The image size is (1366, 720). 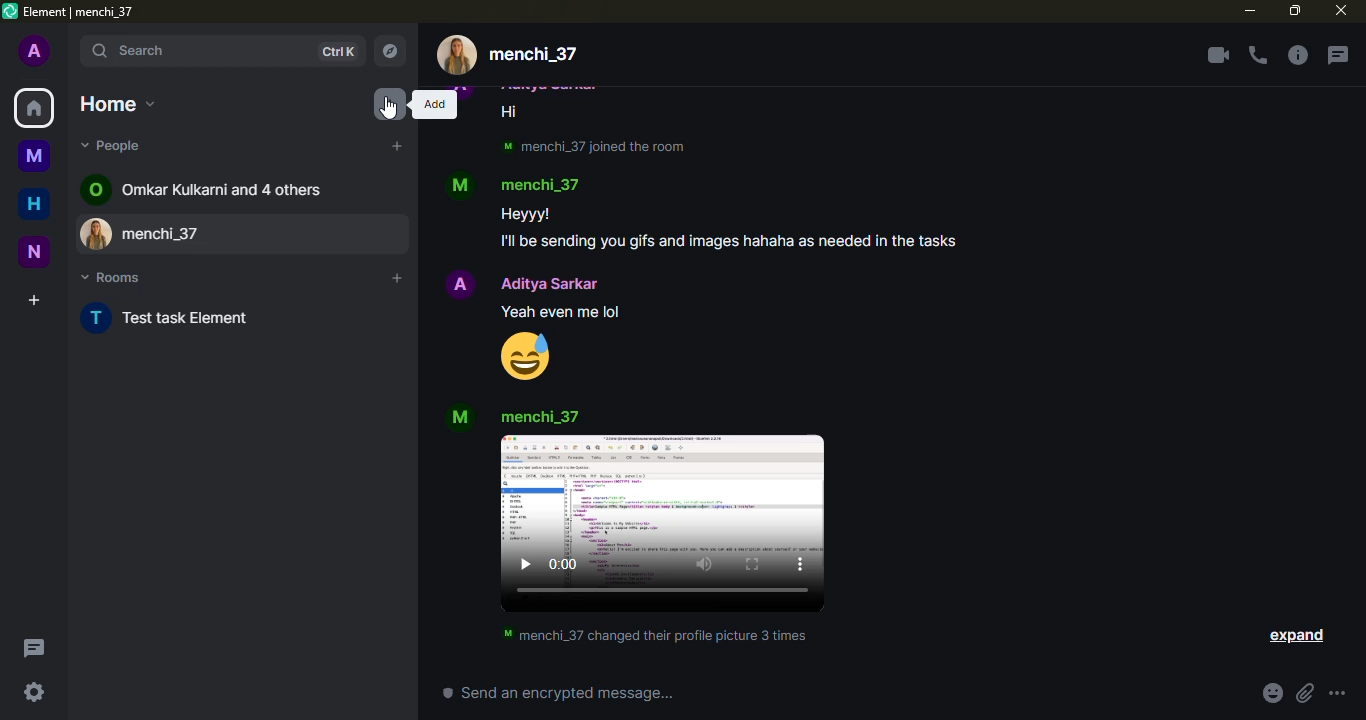 What do you see at coordinates (118, 104) in the screenshot?
I see `home` at bounding box center [118, 104].